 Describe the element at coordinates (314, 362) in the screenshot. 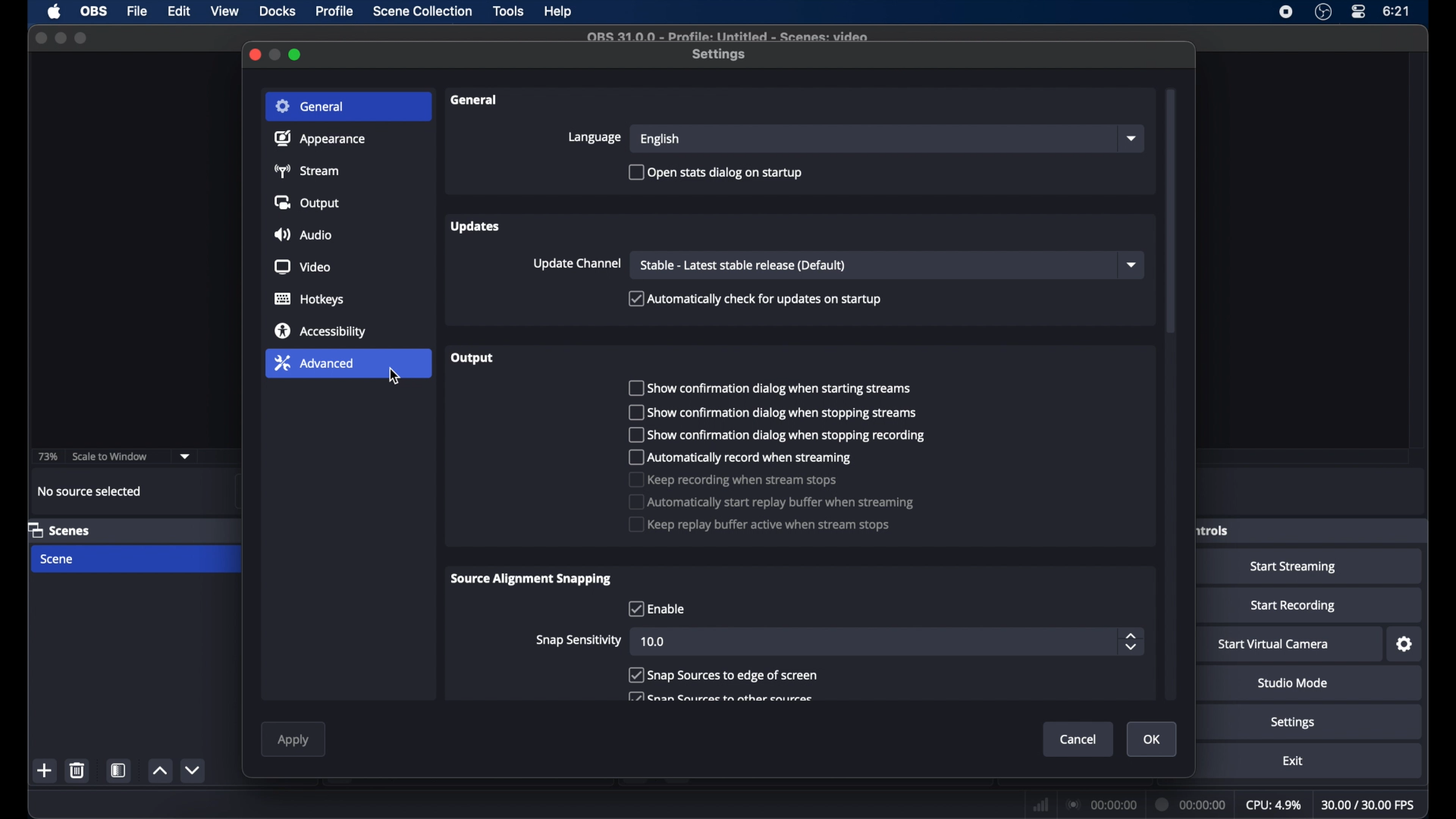

I see `advanced` at that location.